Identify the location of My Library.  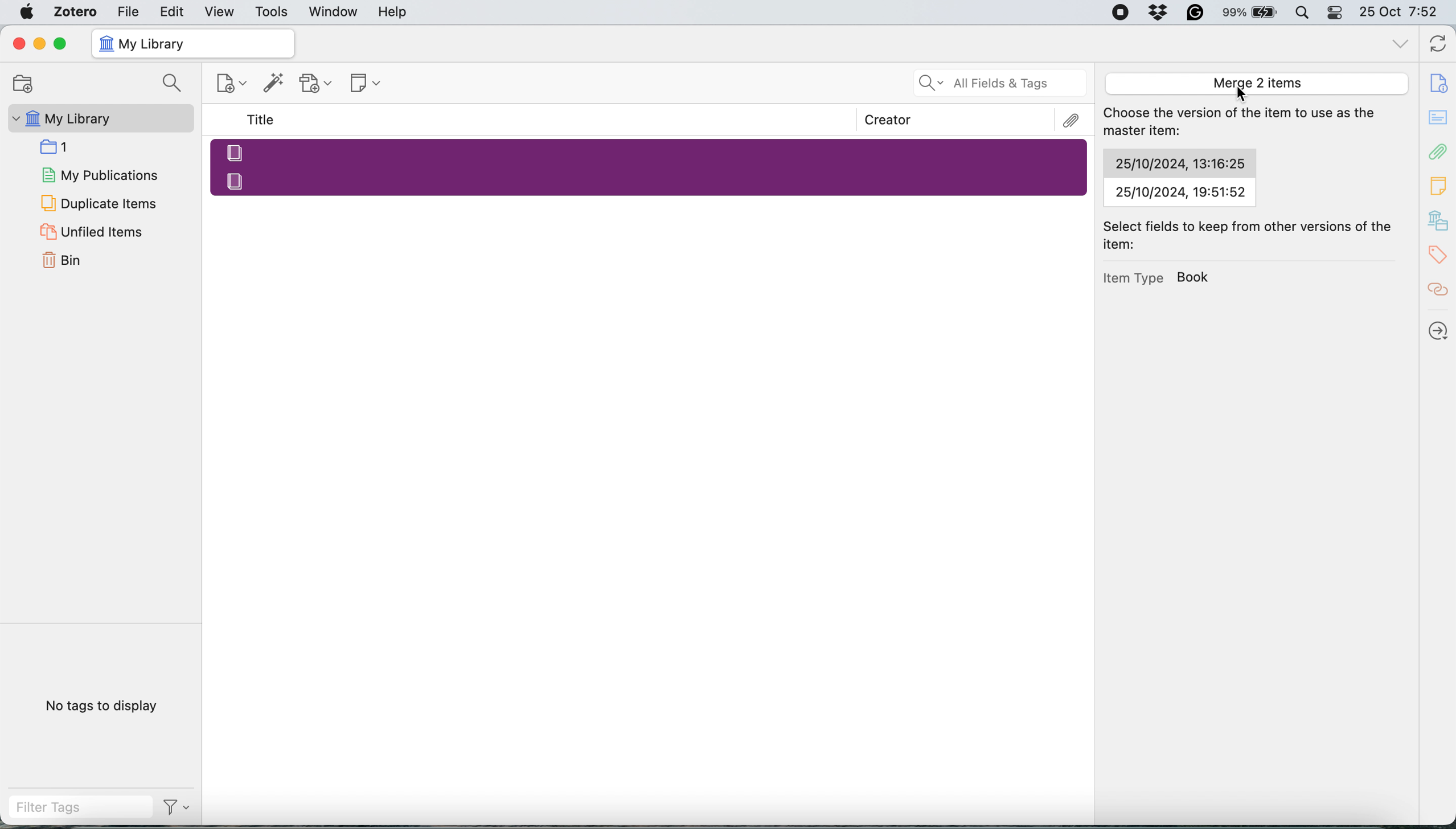
(99, 118).